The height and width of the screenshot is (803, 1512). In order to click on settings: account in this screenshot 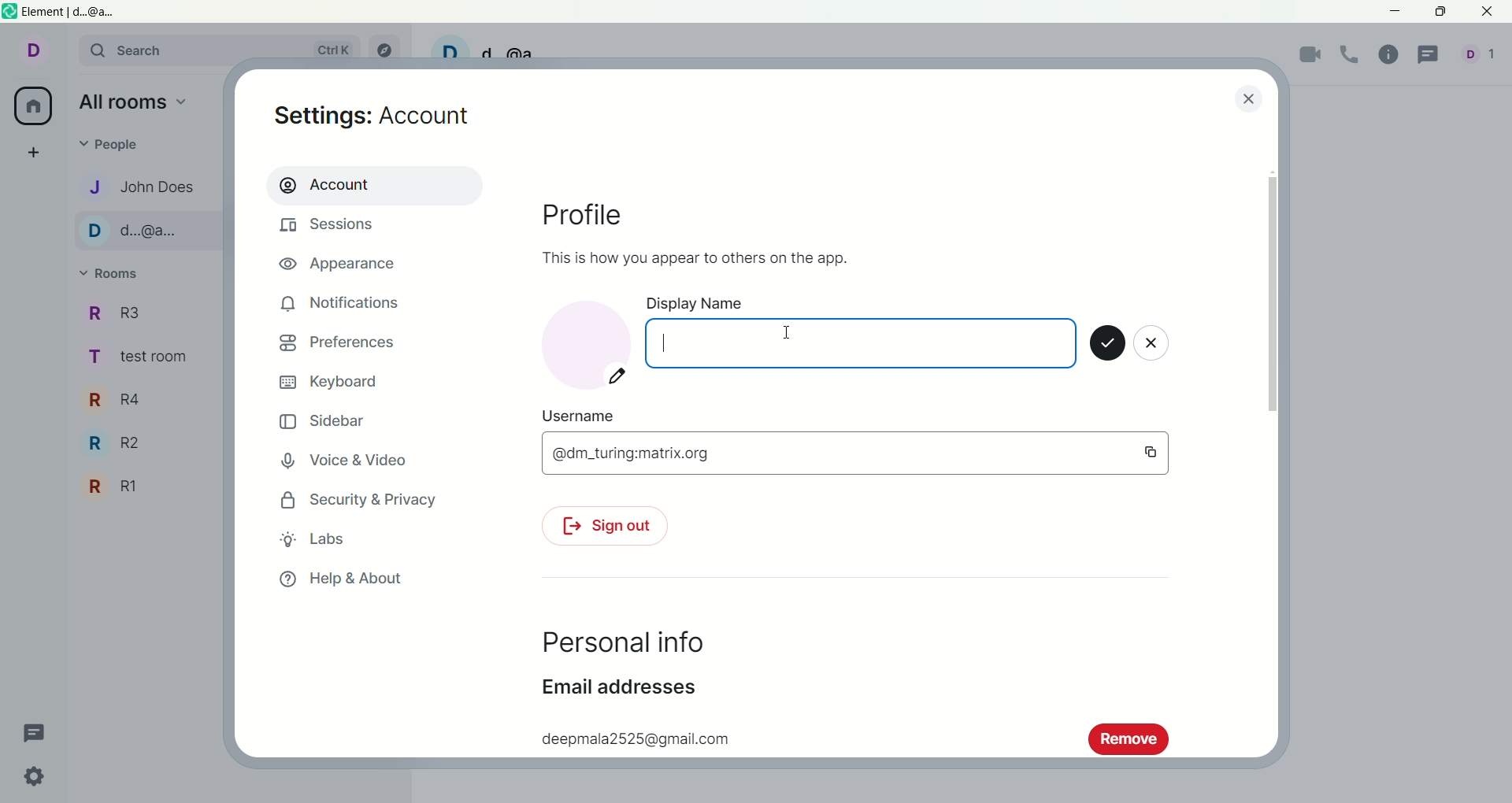, I will do `click(377, 118)`.